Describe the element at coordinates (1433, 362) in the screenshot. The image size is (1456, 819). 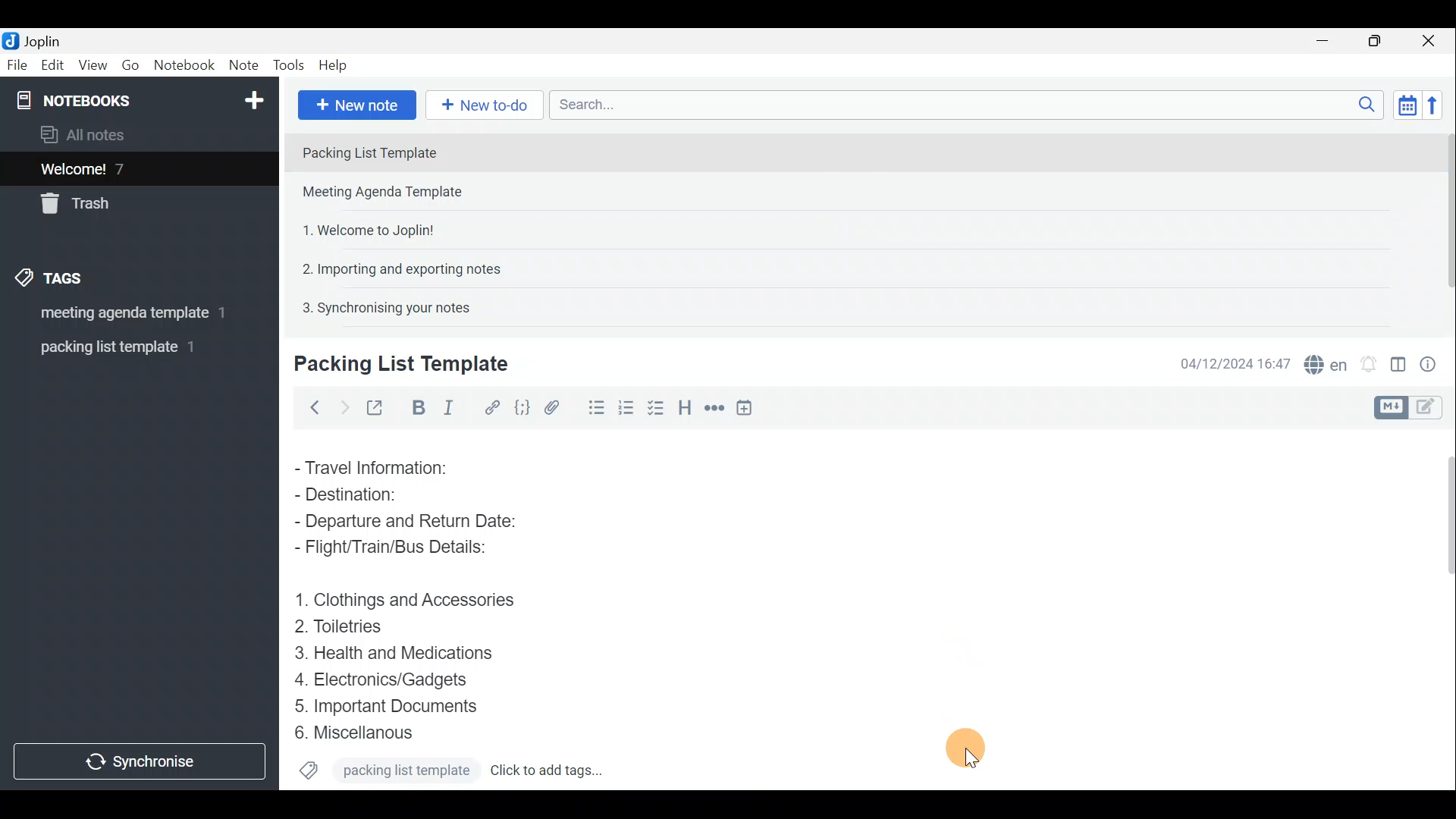
I see `Note properties` at that location.